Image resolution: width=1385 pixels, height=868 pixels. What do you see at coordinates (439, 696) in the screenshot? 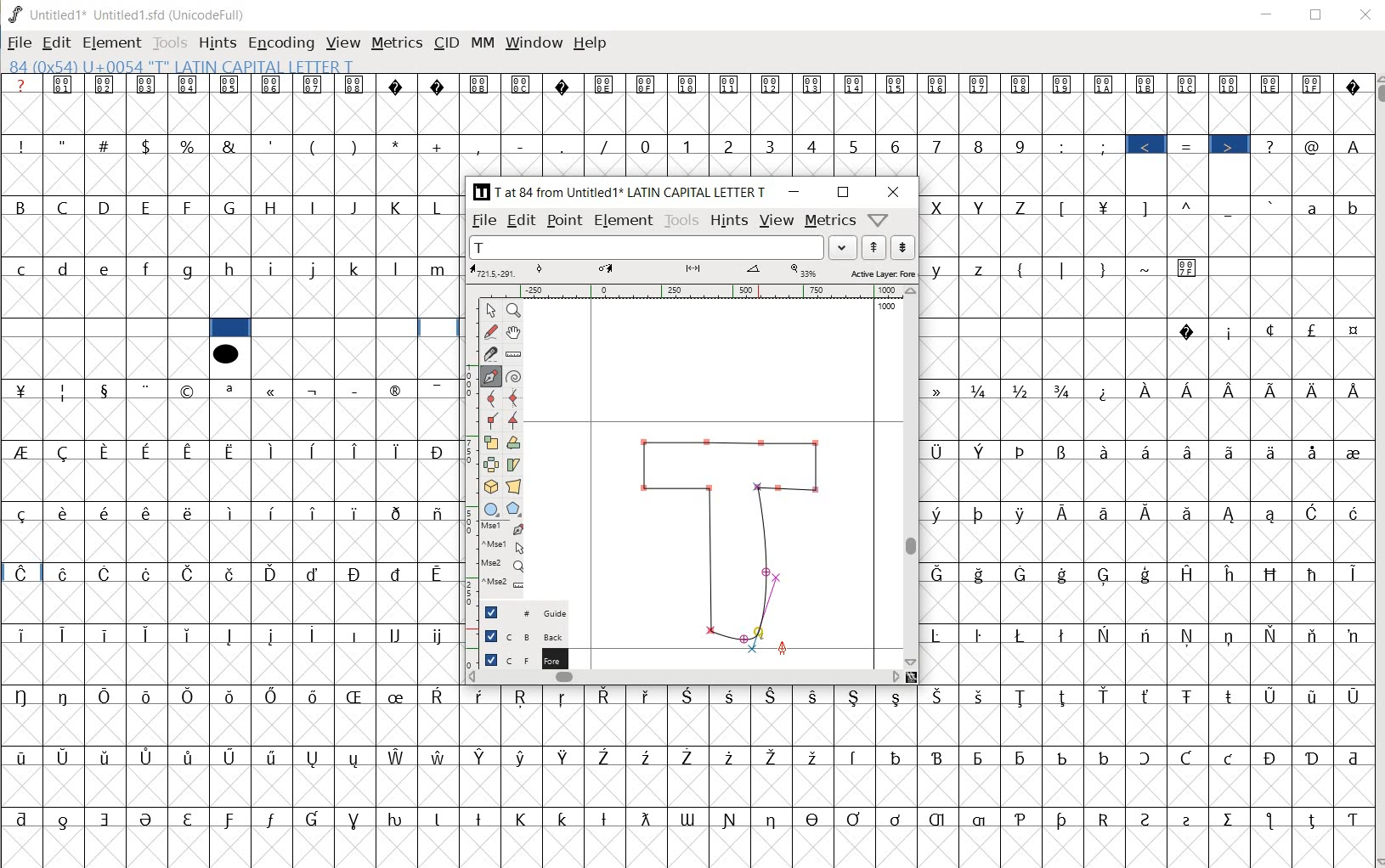
I see `Symbol` at bounding box center [439, 696].